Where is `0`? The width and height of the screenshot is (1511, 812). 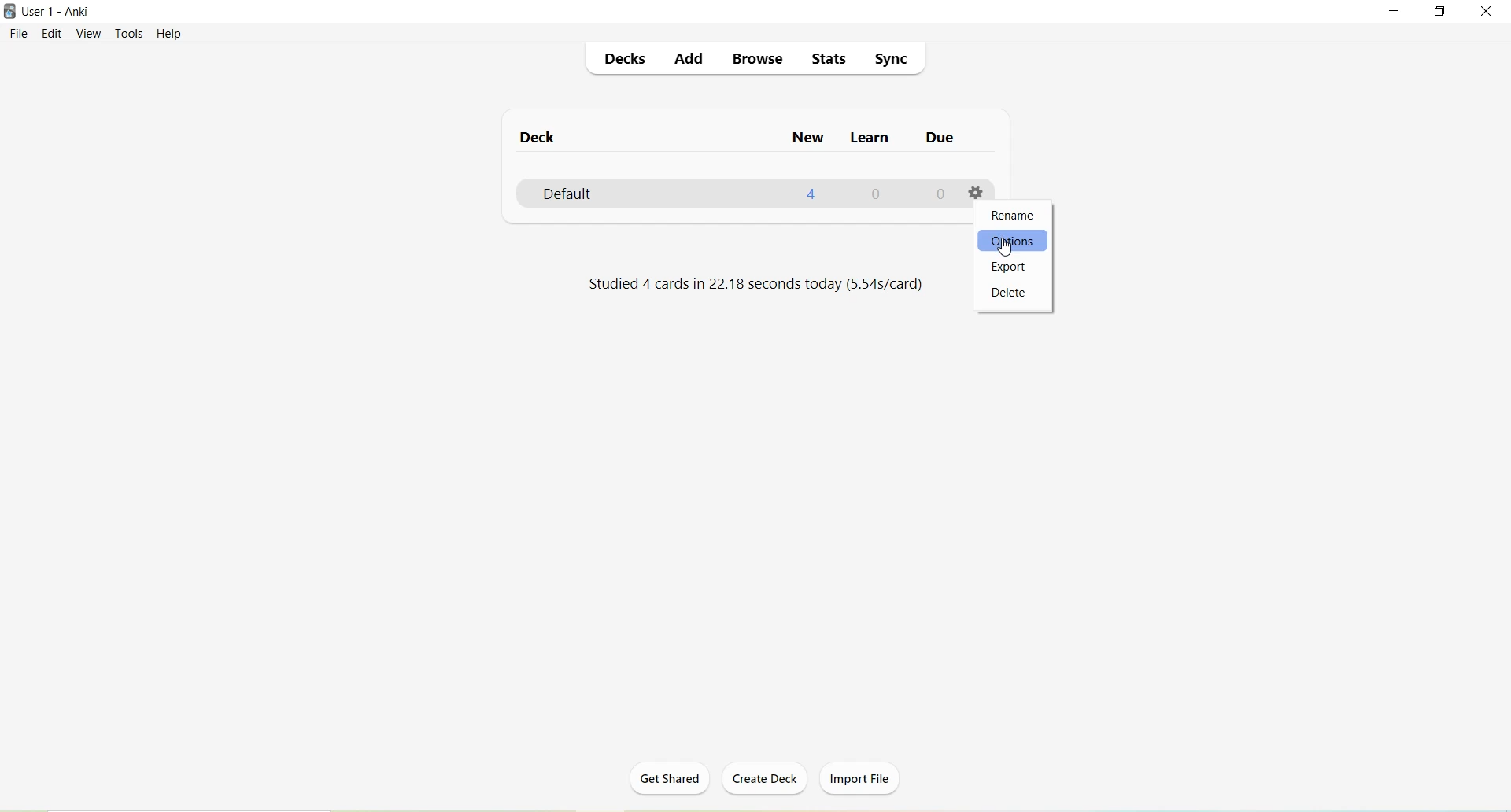
0 is located at coordinates (881, 193).